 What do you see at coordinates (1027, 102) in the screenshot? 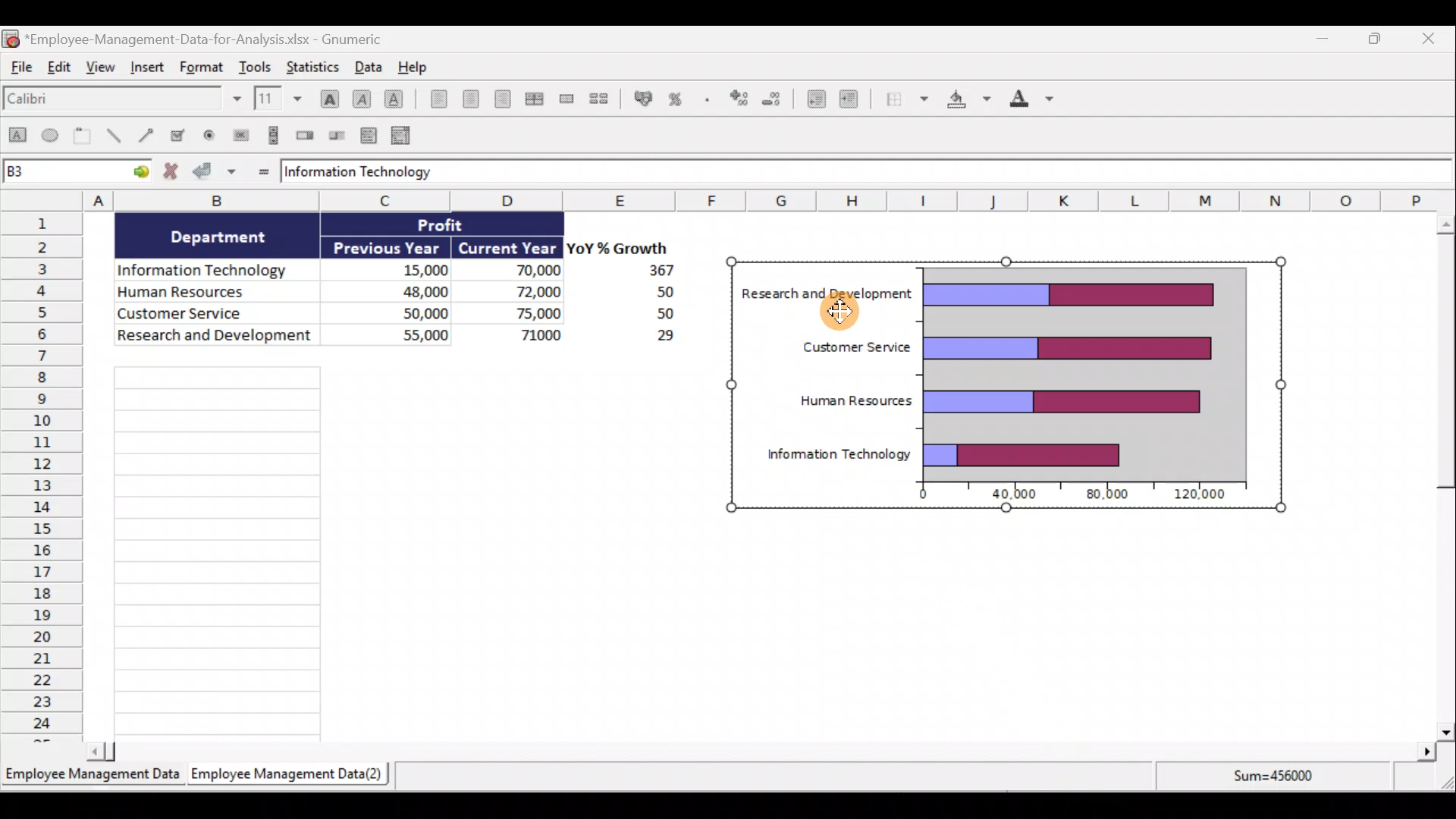
I see `Foreground` at bounding box center [1027, 102].